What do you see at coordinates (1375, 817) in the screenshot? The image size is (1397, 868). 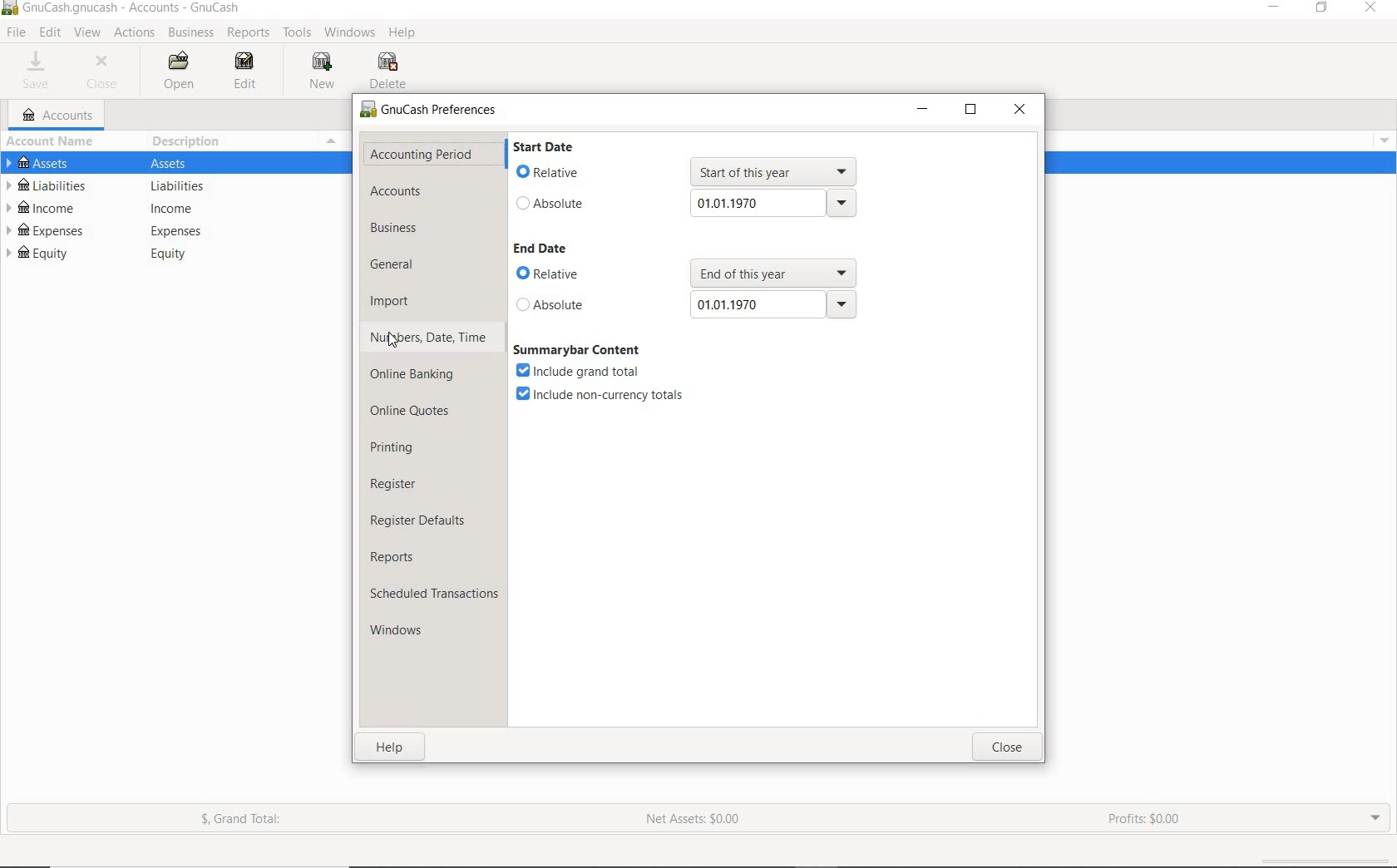 I see `EXPAND` at bounding box center [1375, 817].